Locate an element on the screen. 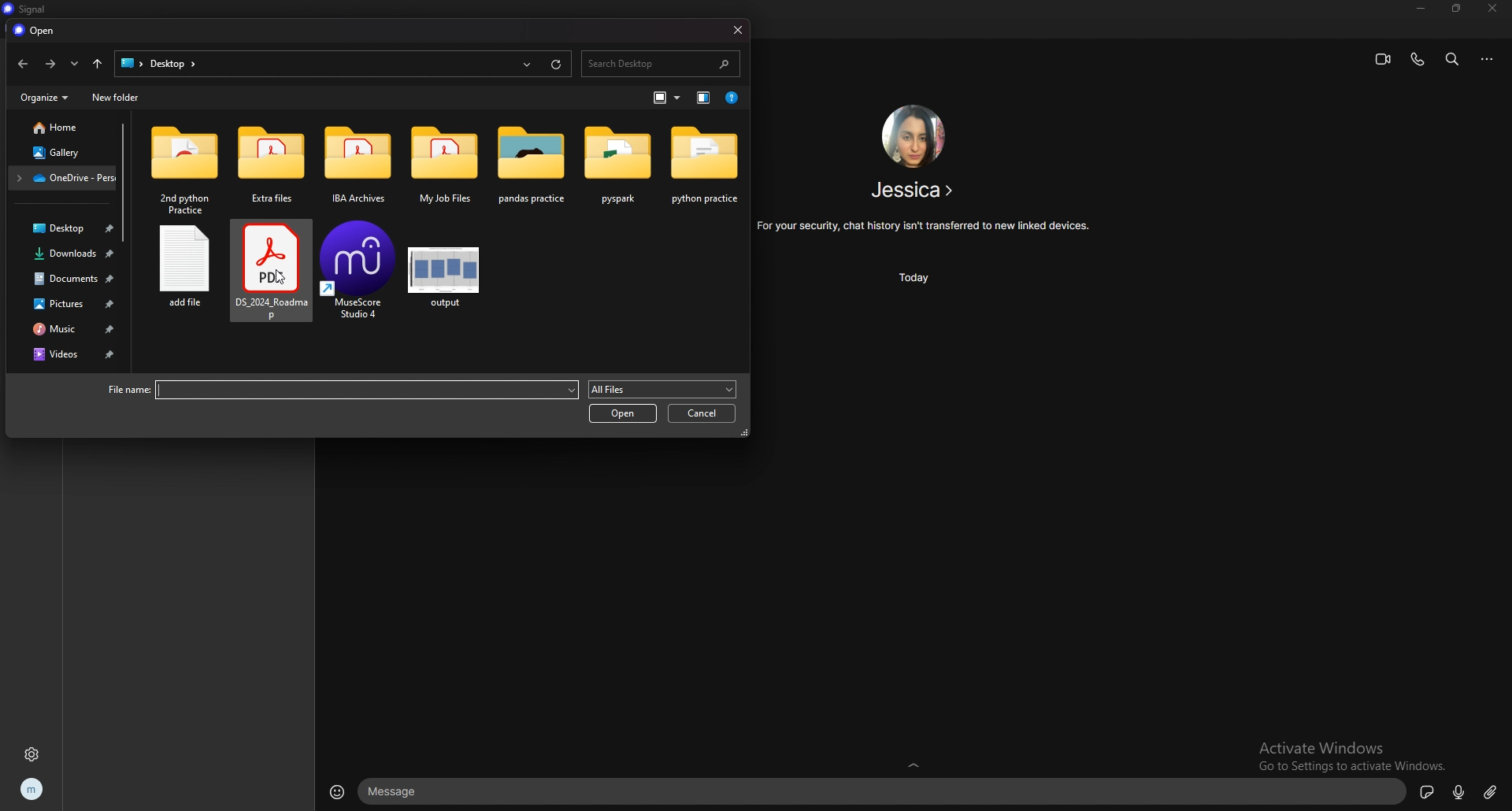 Image resolution: width=1512 pixels, height=811 pixels. contact photo is located at coordinates (912, 135).